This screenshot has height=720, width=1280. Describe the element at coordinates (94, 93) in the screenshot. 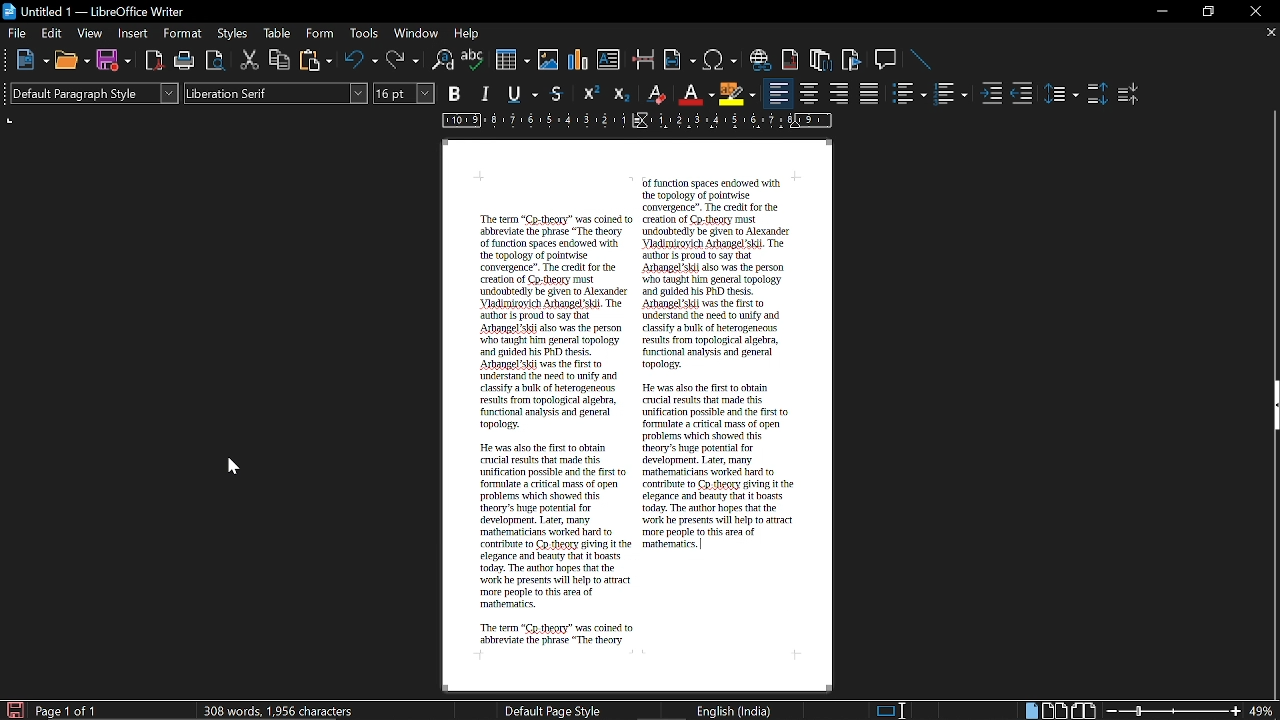

I see `Paragraph style` at that location.